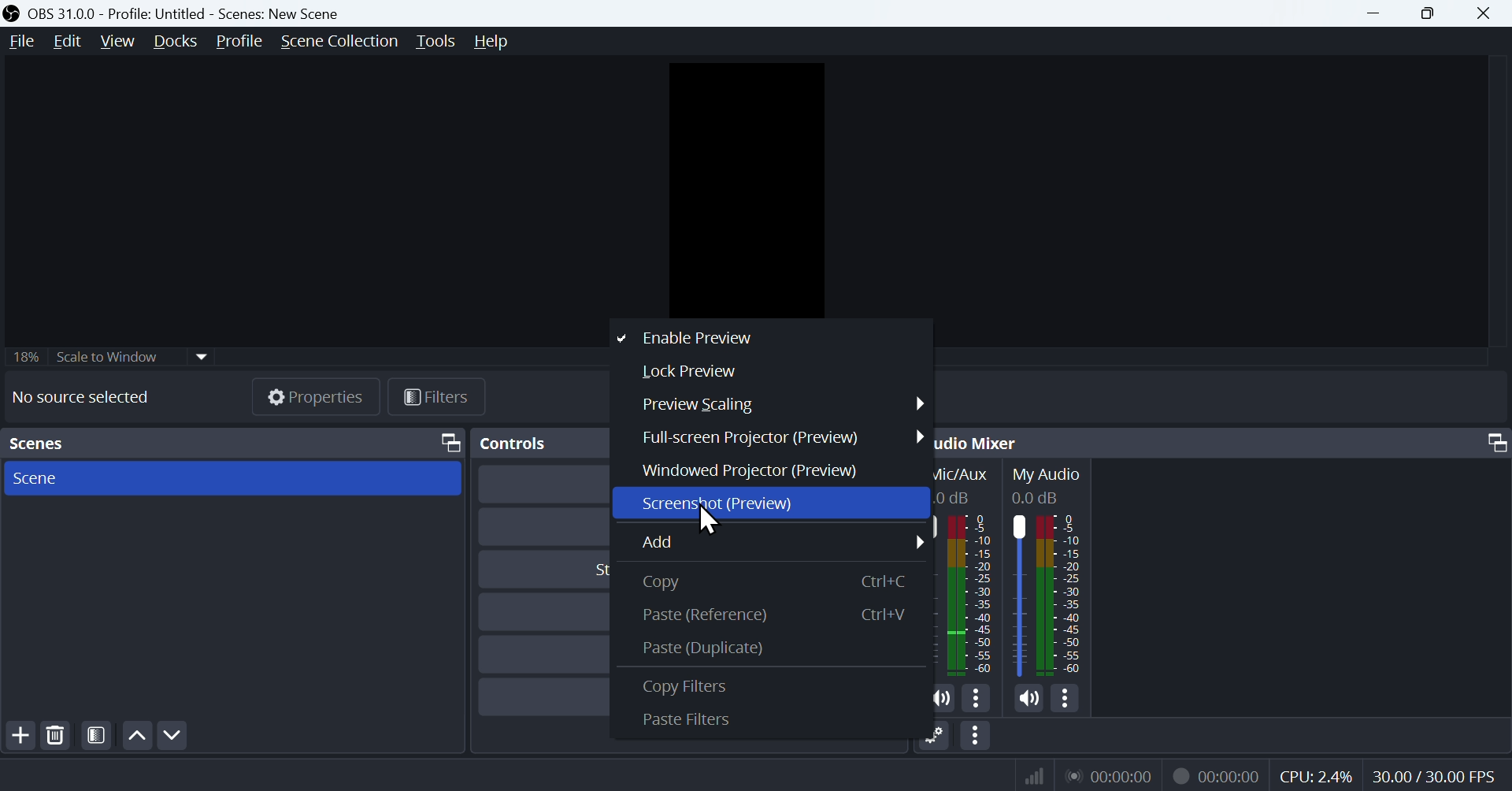 This screenshot has width=1512, height=791. I want to click on Scene, so click(231, 477).